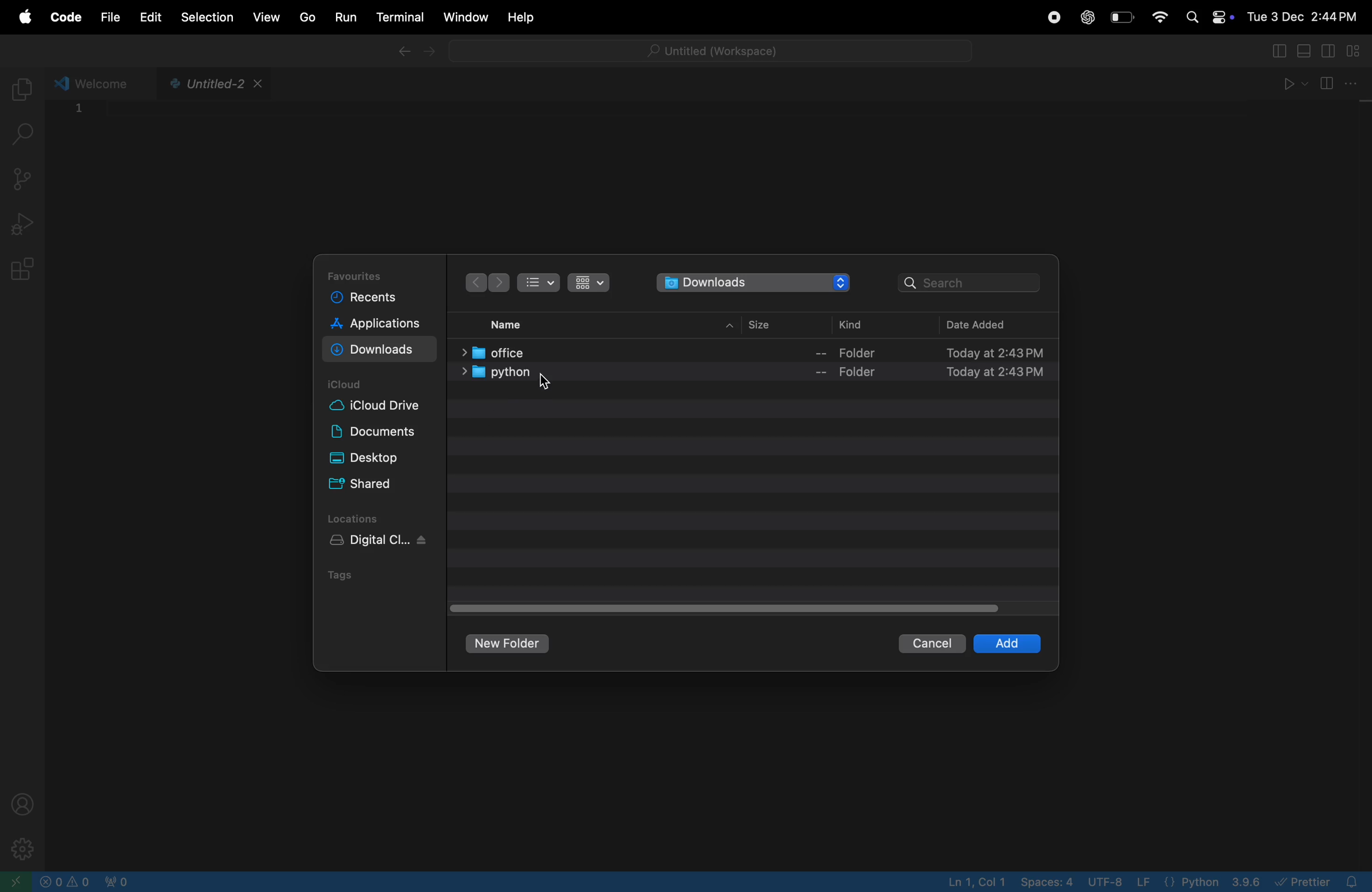 Image resolution: width=1372 pixels, height=892 pixels. Describe the element at coordinates (499, 352) in the screenshot. I see `office` at that location.